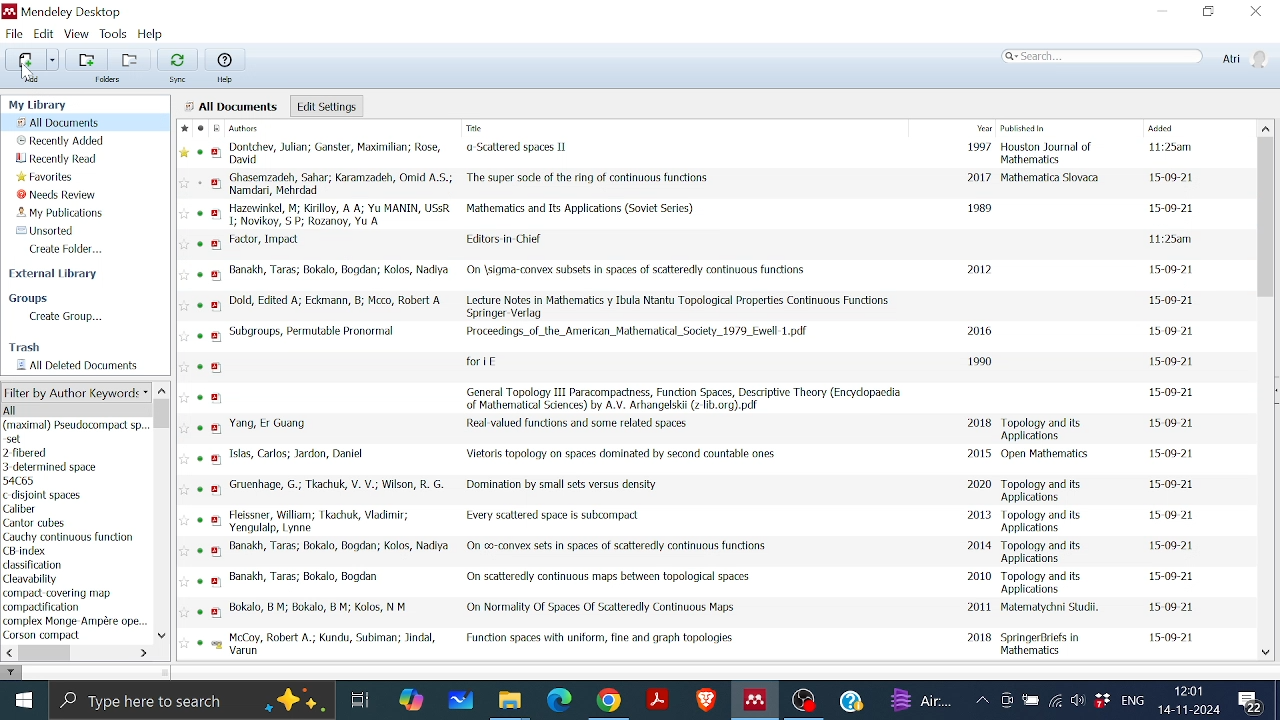 The width and height of the screenshot is (1280, 720). What do you see at coordinates (460, 701) in the screenshot?
I see `Whiteboard` at bounding box center [460, 701].